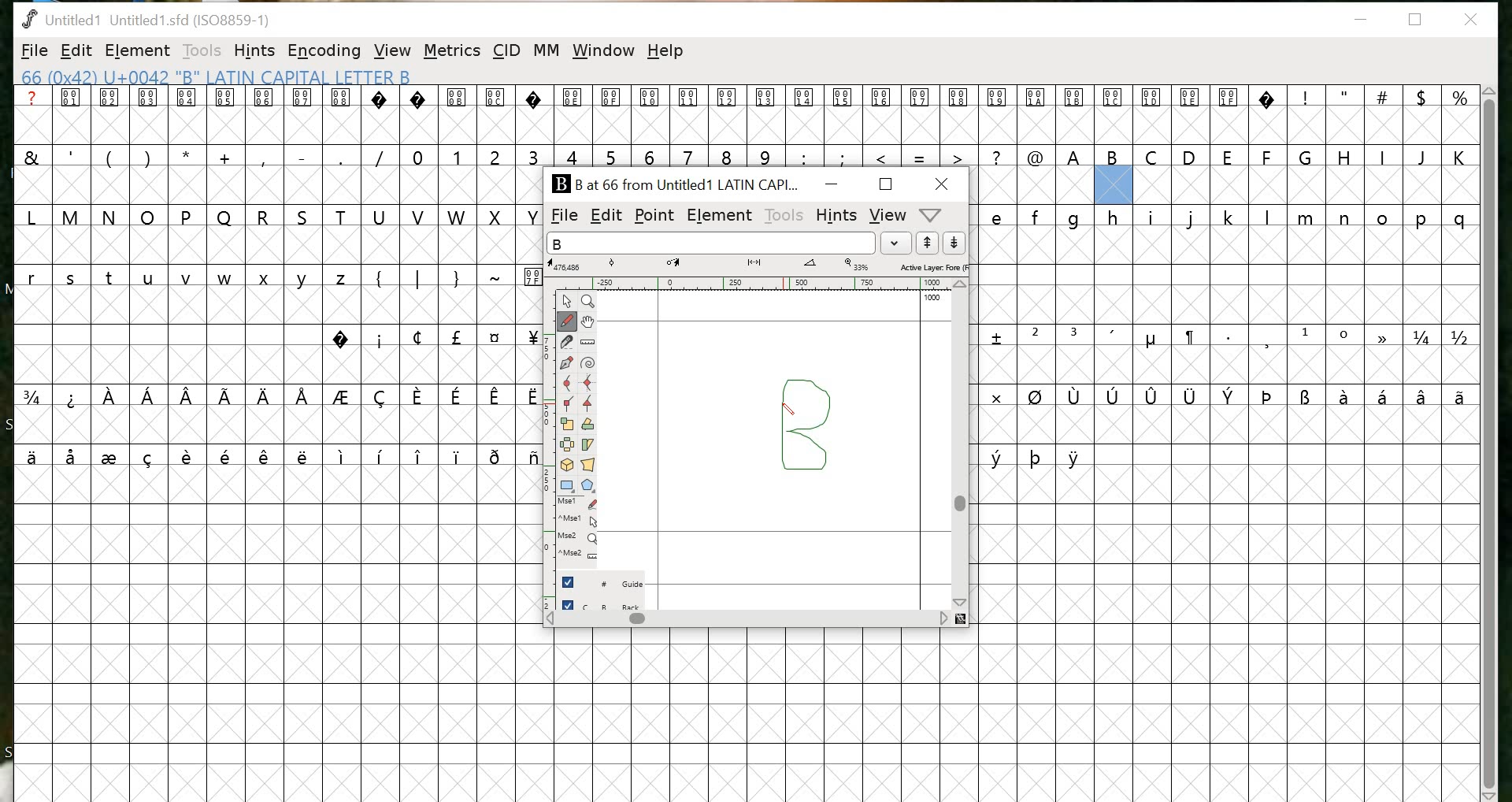  I want to click on TOOLS, so click(783, 217).